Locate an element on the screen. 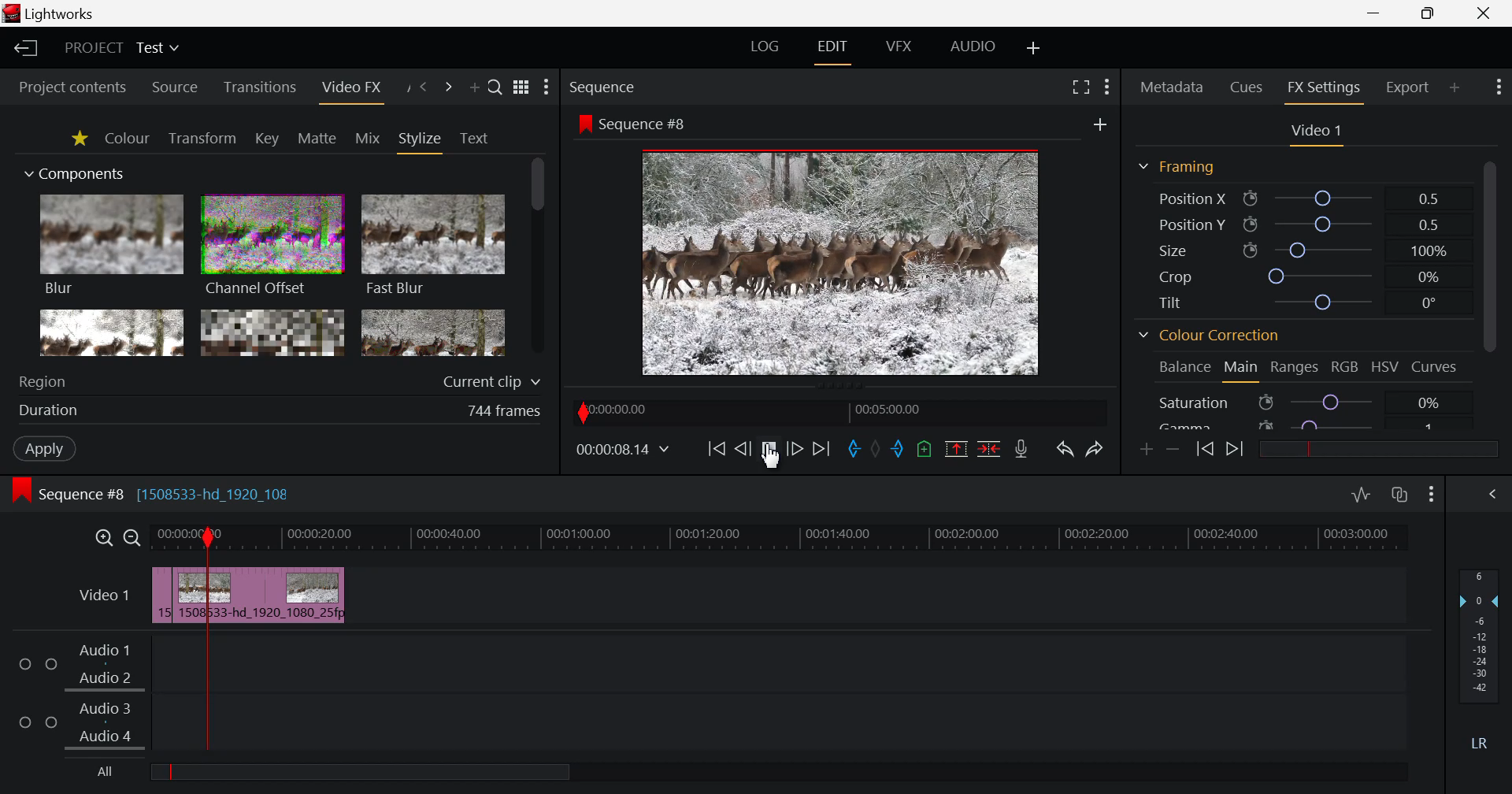 This screenshot has height=794, width=1512. Add Panel is located at coordinates (1455, 86).